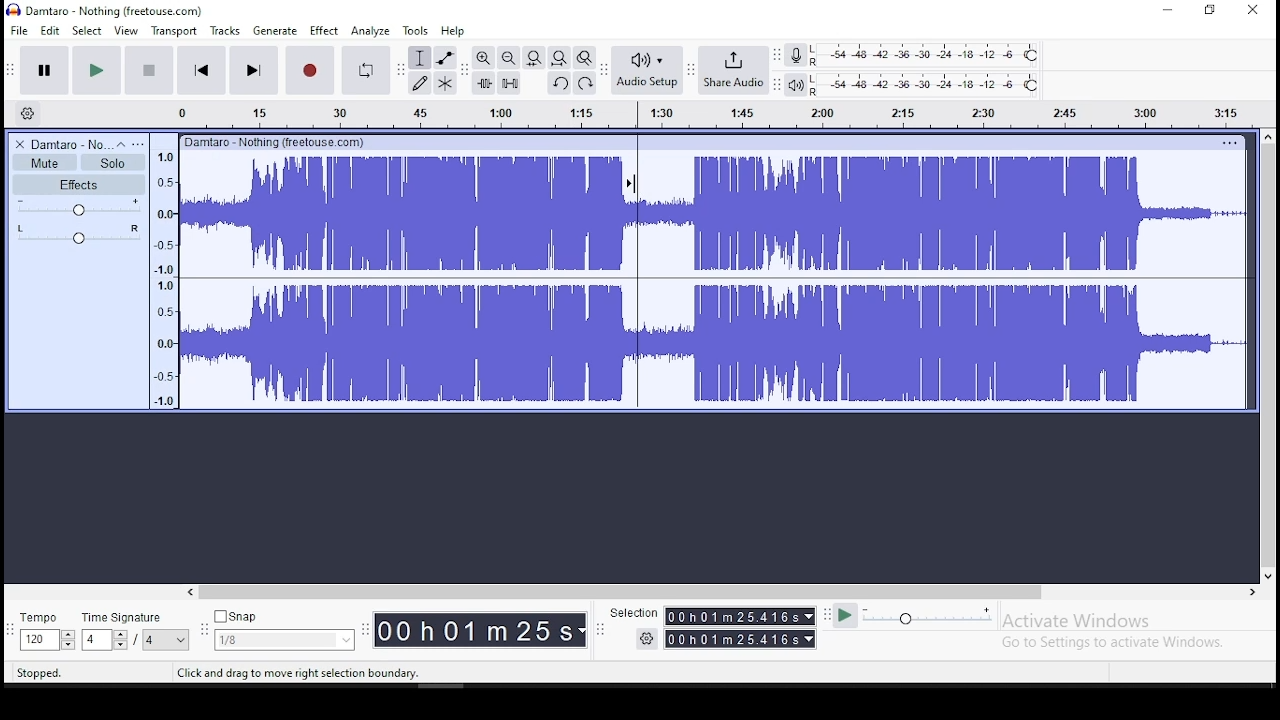  What do you see at coordinates (167, 639) in the screenshot?
I see `menu` at bounding box center [167, 639].